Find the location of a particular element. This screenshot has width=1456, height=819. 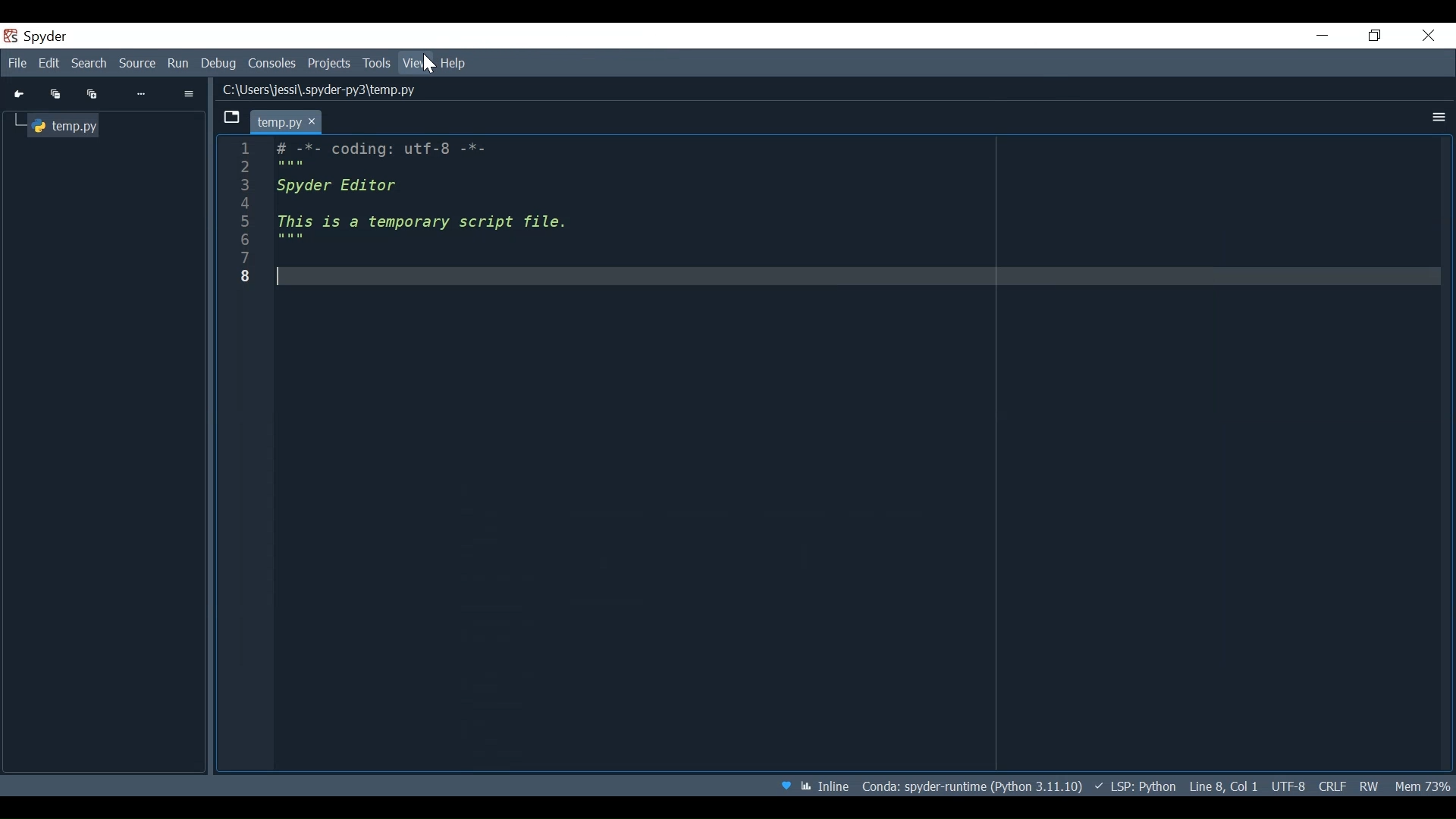

Minimize is located at coordinates (1322, 35).